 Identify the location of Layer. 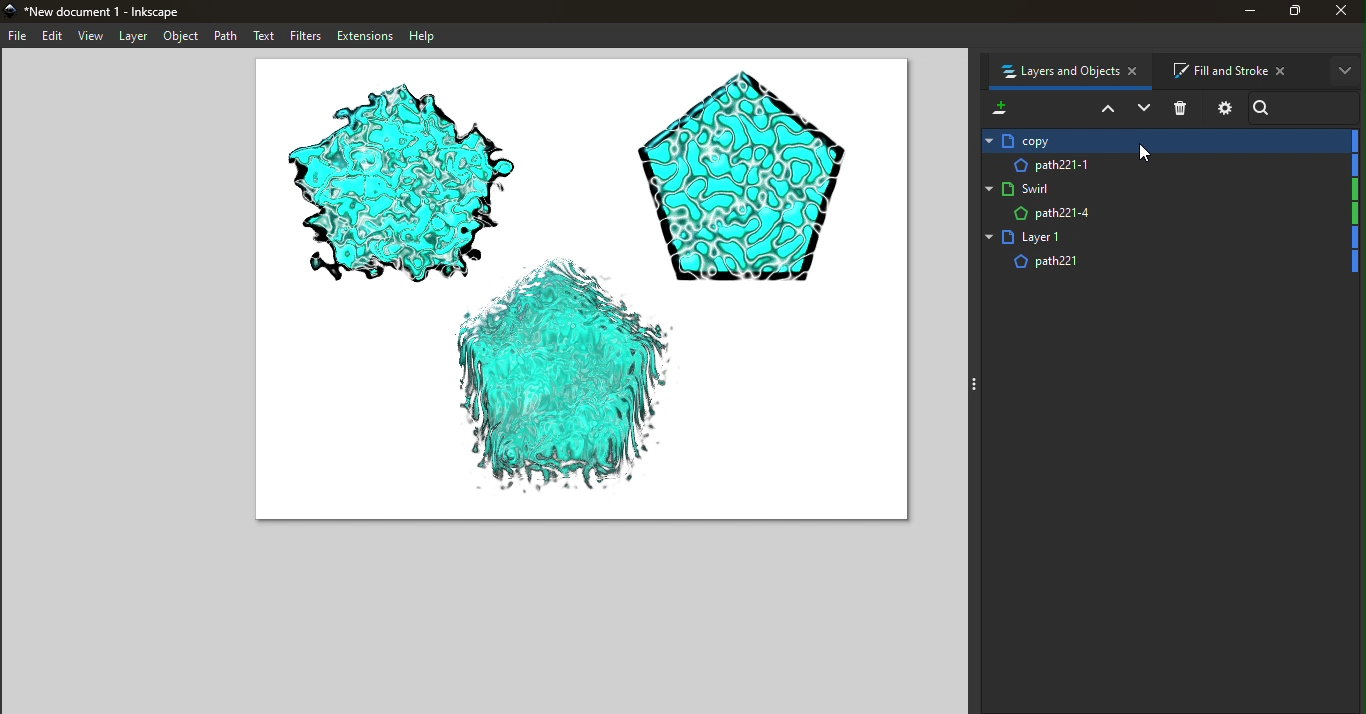
(1175, 165).